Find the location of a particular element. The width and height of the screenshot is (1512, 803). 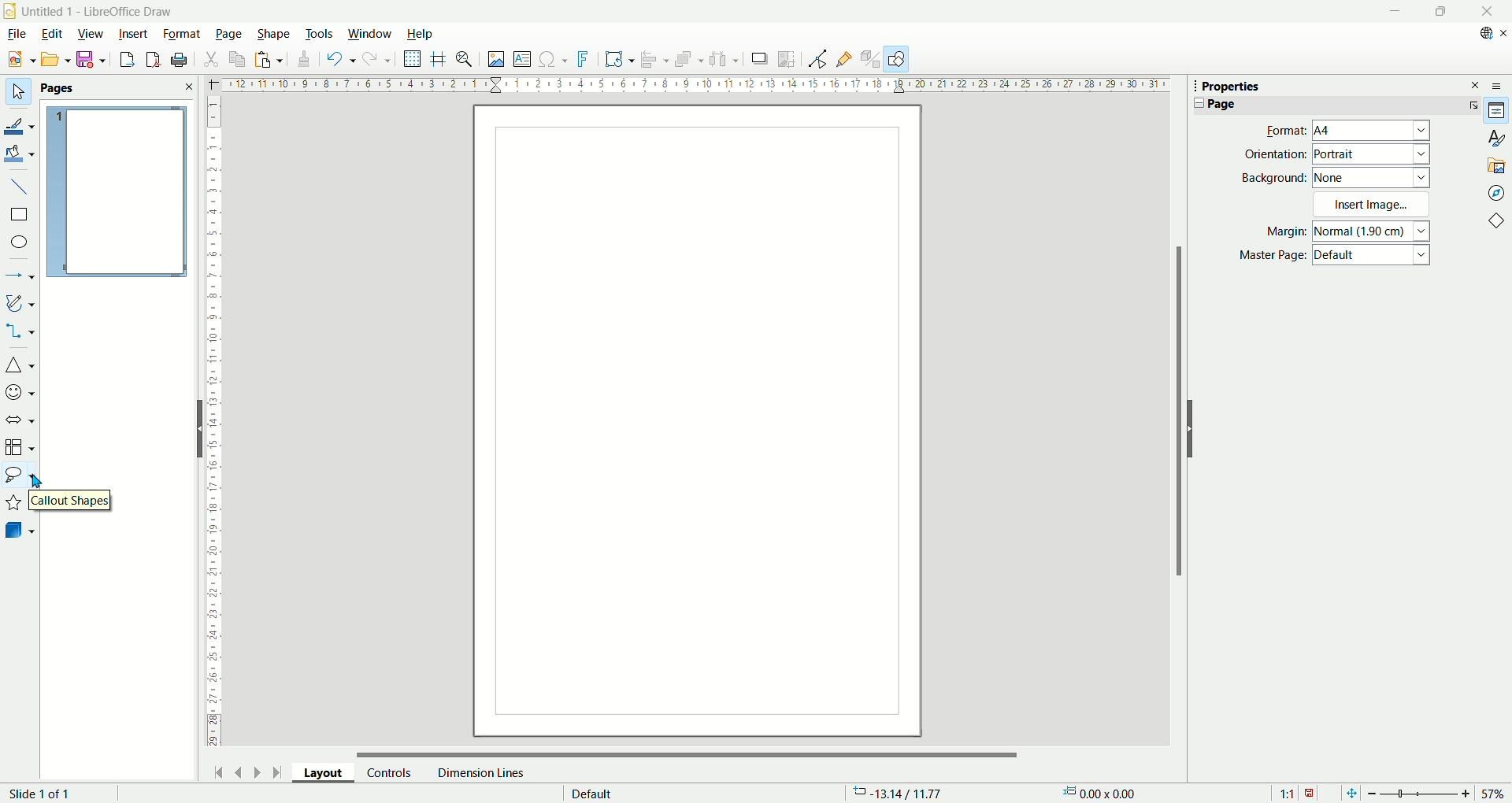

select is located at coordinates (17, 93).